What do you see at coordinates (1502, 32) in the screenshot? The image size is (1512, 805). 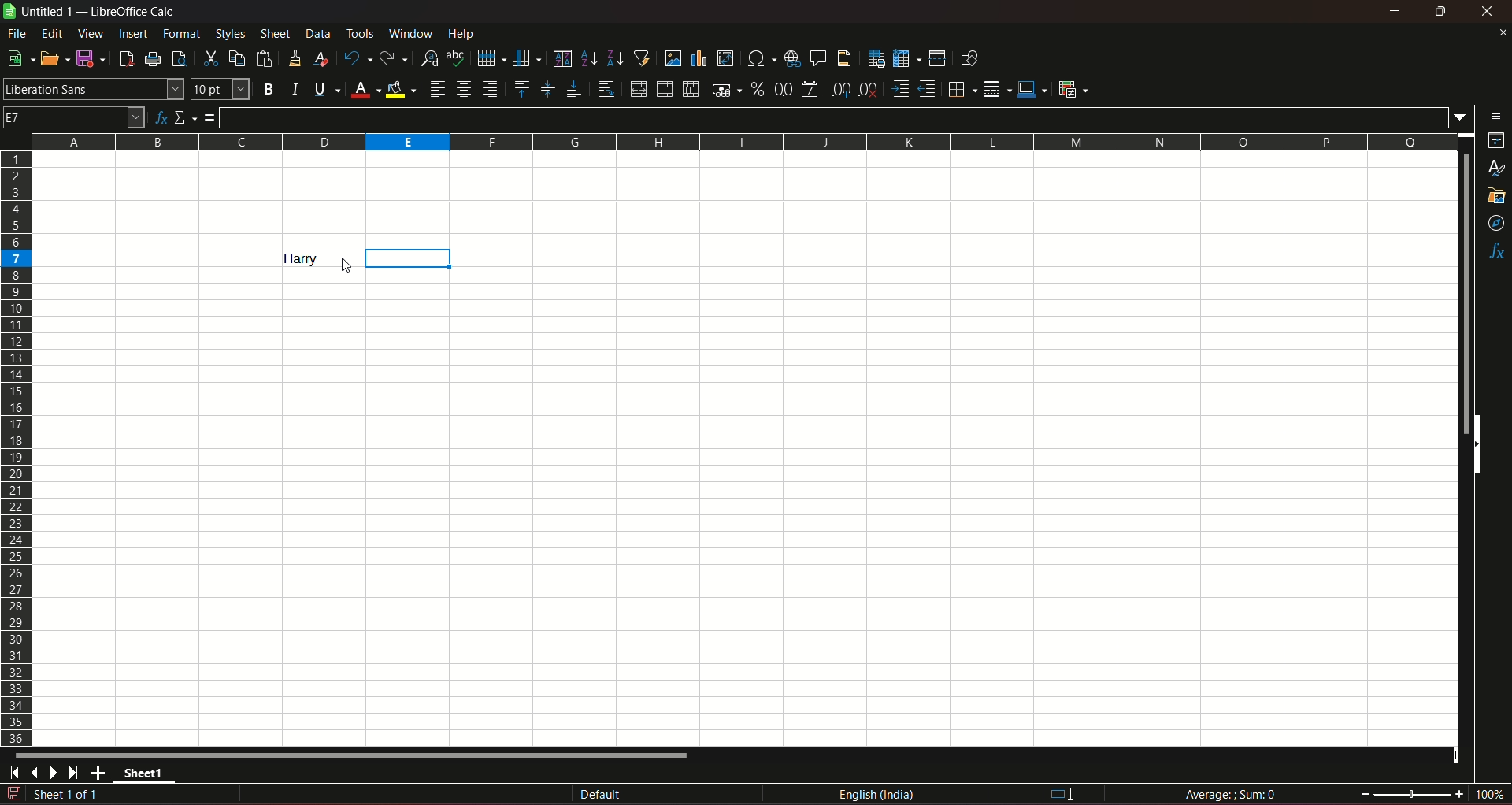 I see `close` at bounding box center [1502, 32].